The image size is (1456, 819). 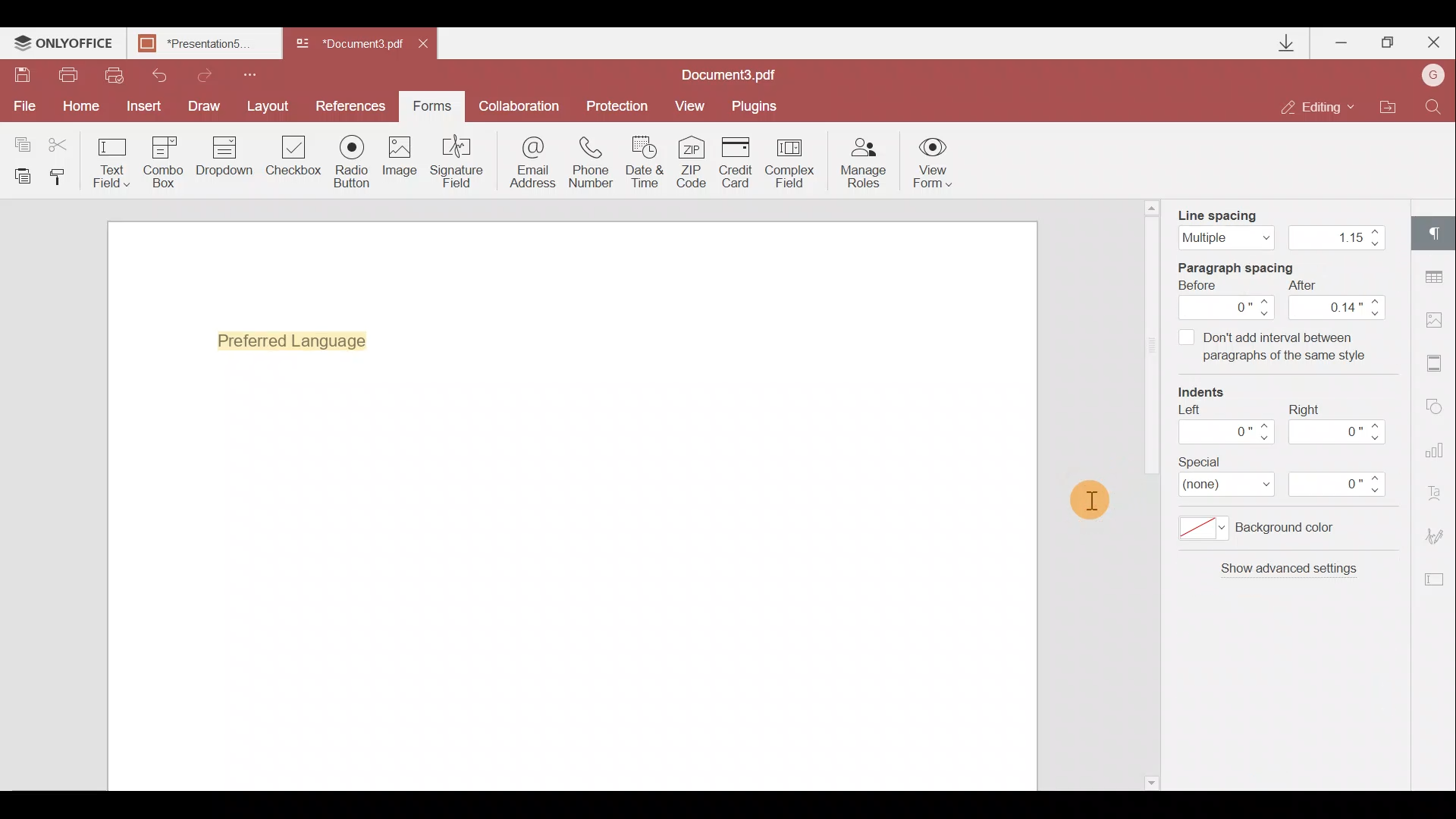 What do you see at coordinates (1436, 277) in the screenshot?
I see `Table settings` at bounding box center [1436, 277].